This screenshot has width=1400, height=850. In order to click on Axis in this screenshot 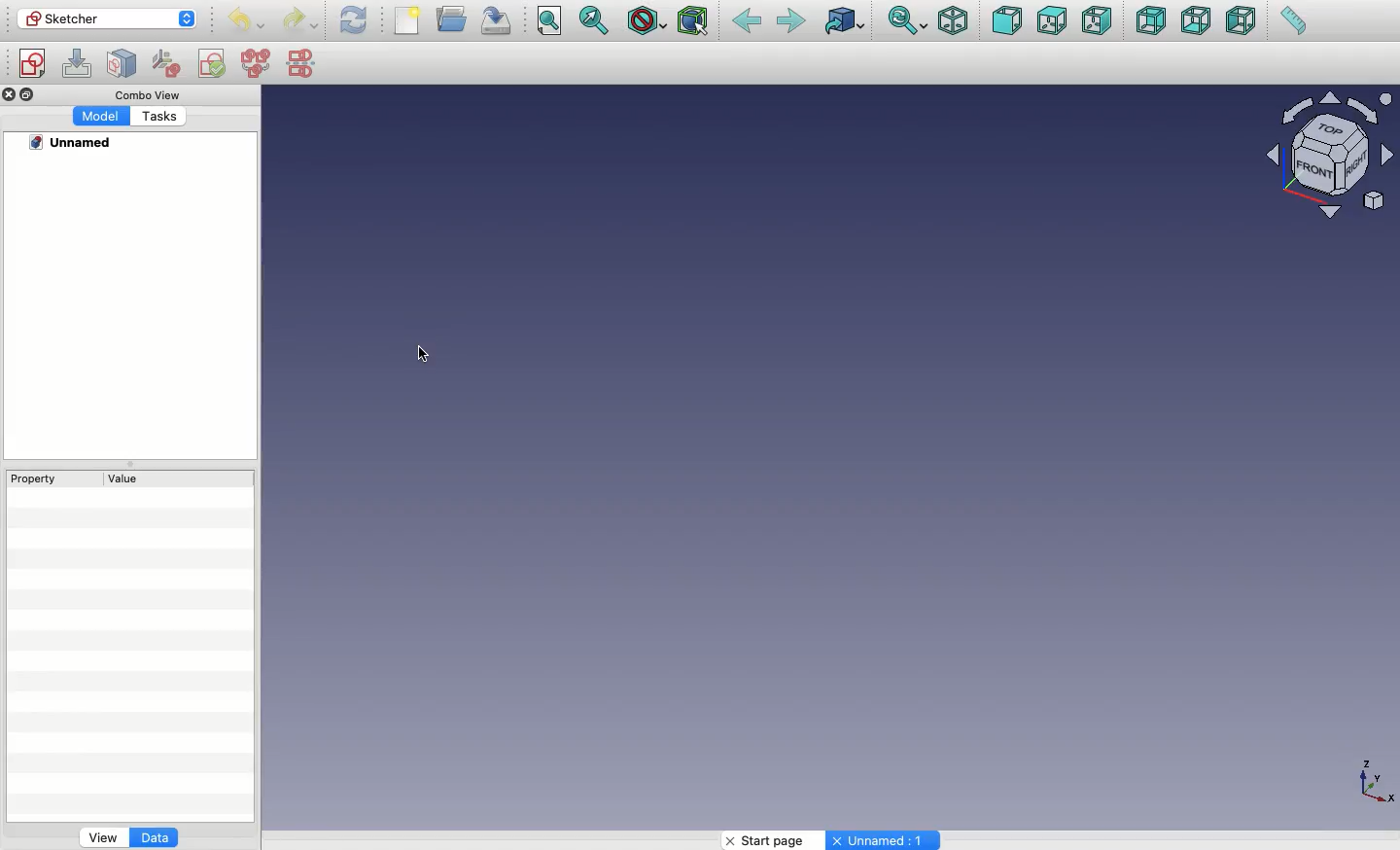, I will do `click(1376, 785)`.